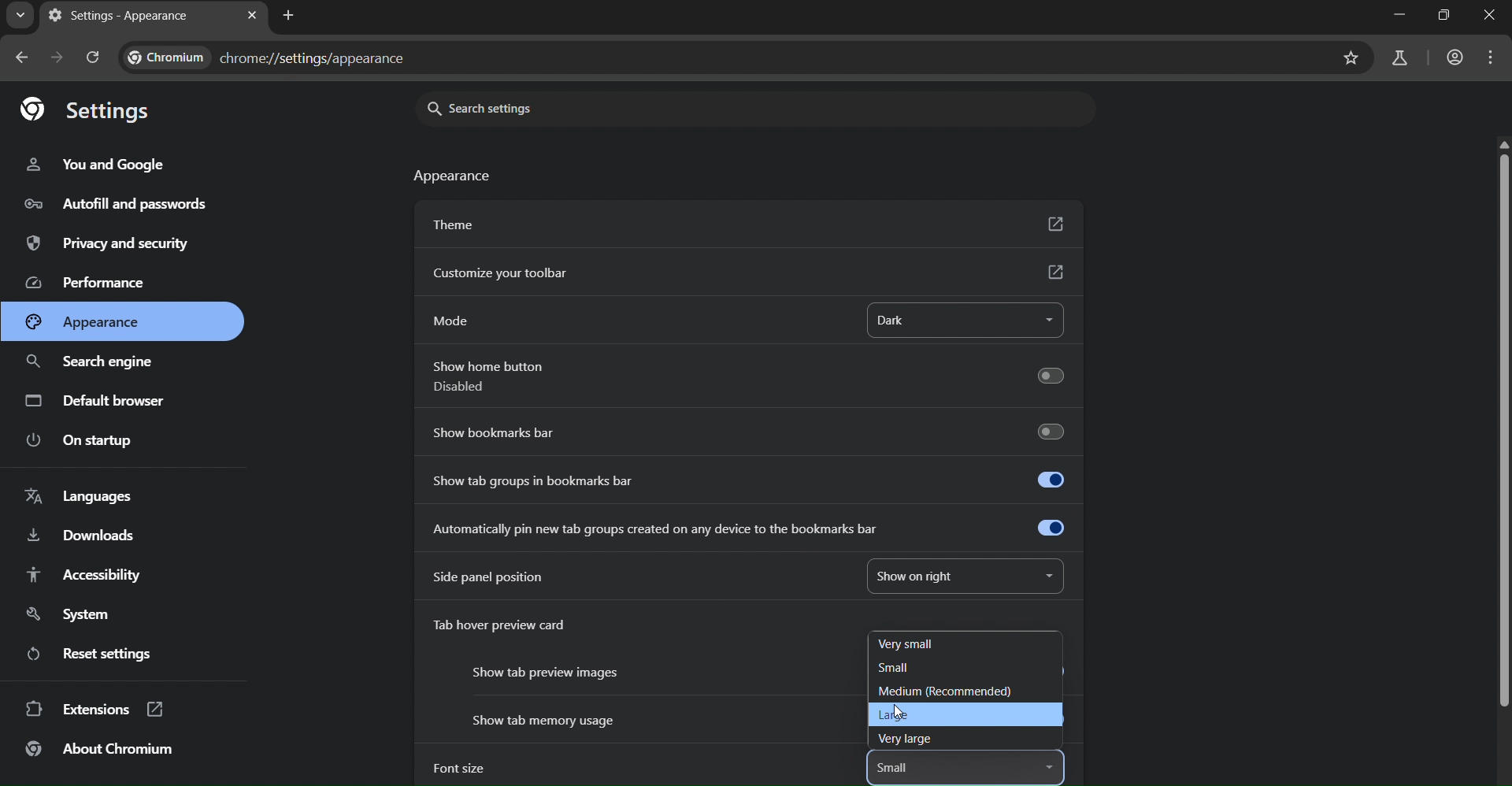  I want to click on scrollbar, so click(1499, 427).